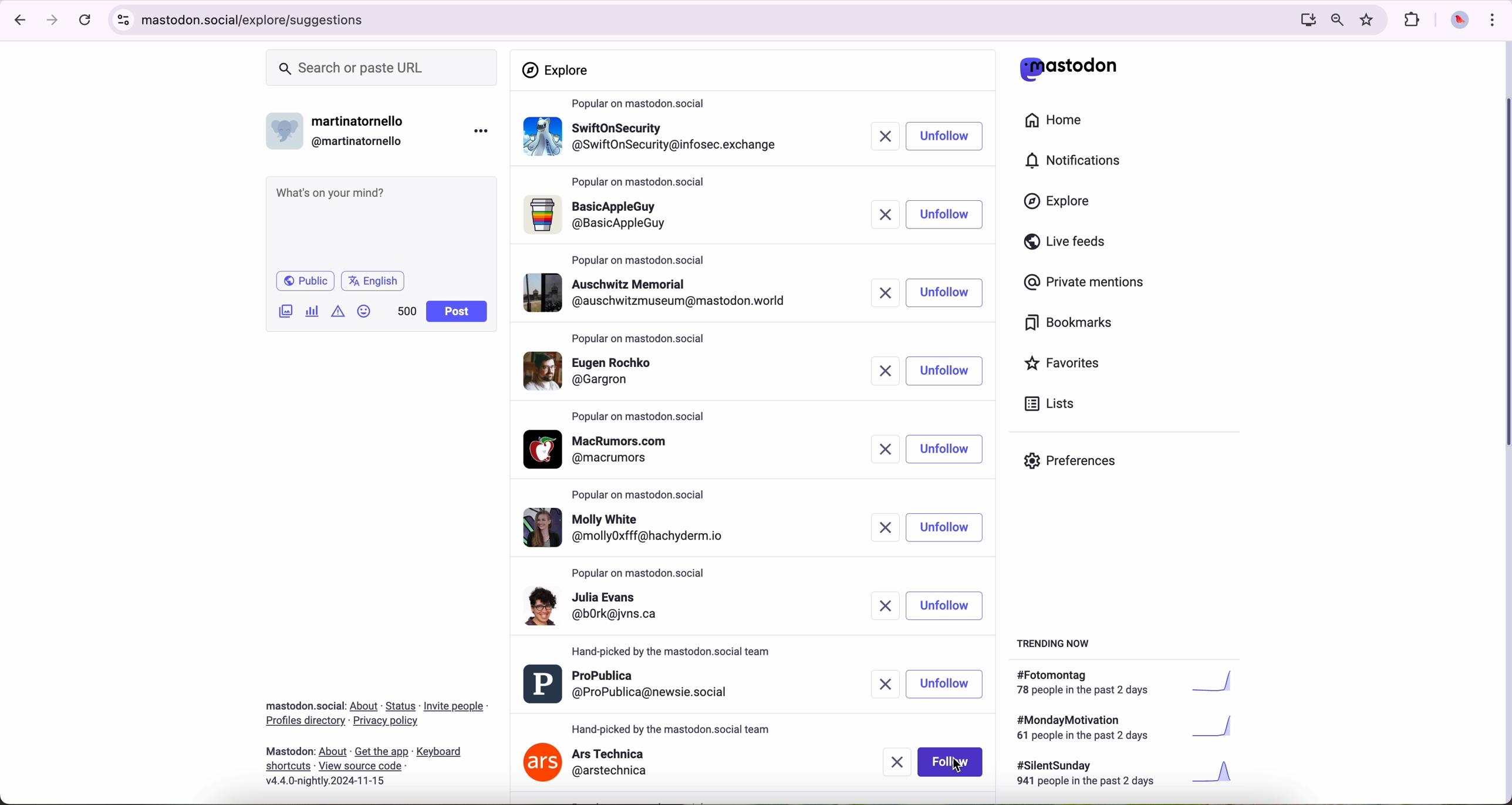 The width and height of the screenshot is (1512, 805). What do you see at coordinates (1045, 403) in the screenshot?
I see `lists` at bounding box center [1045, 403].